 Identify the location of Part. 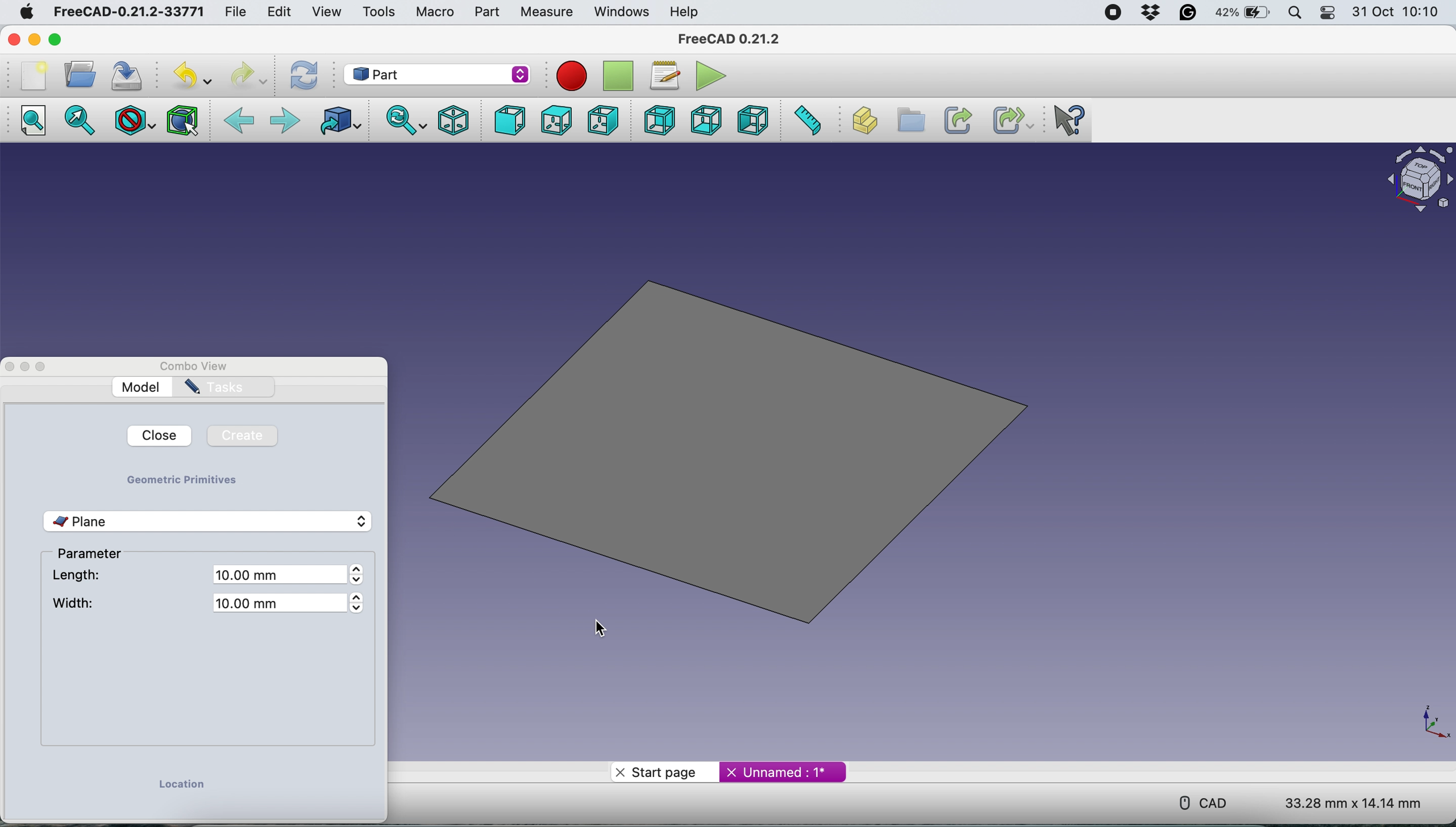
(488, 11).